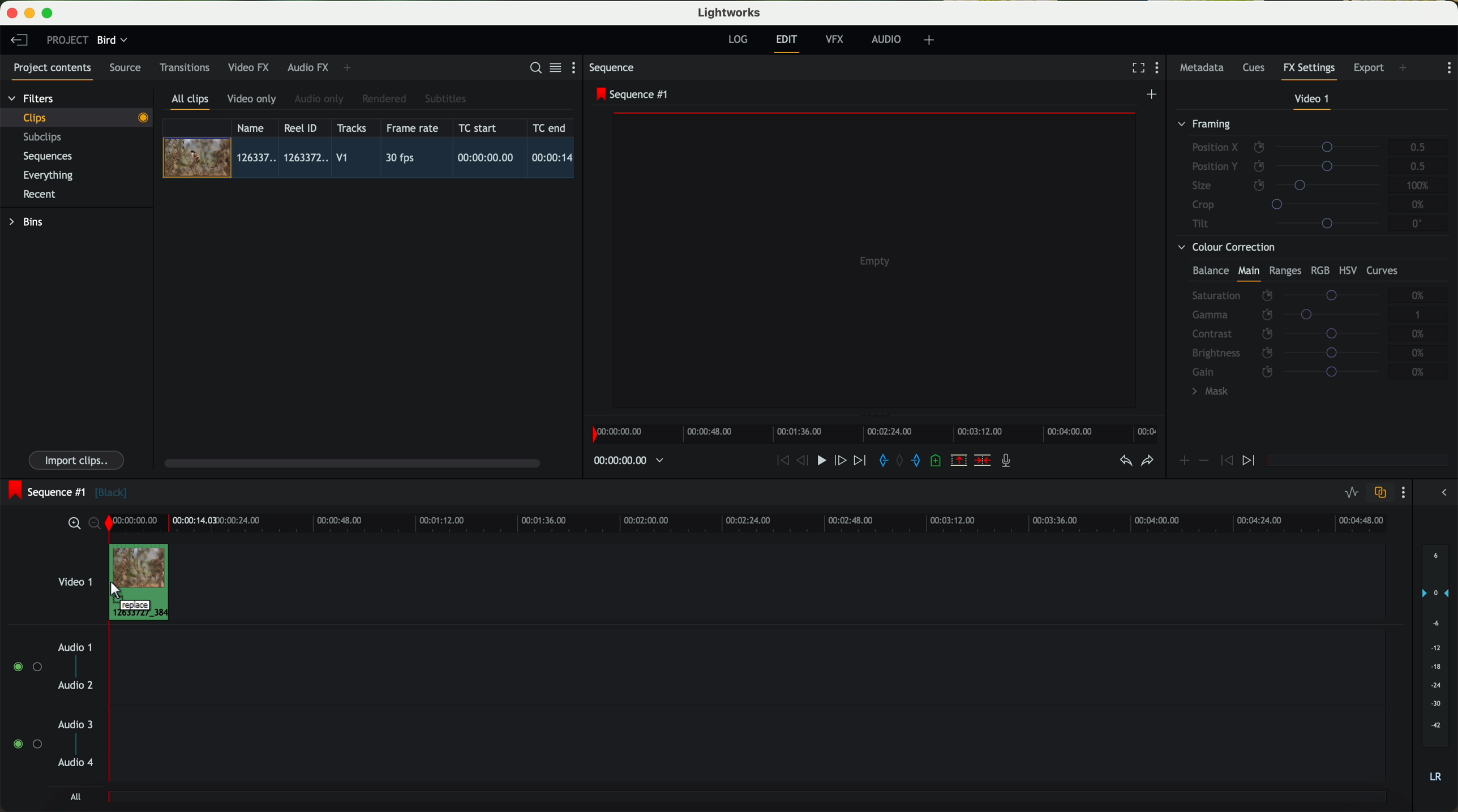 Image resolution: width=1458 pixels, height=812 pixels. Describe the element at coordinates (1436, 667) in the screenshot. I see `audio output level (d/B)` at that location.